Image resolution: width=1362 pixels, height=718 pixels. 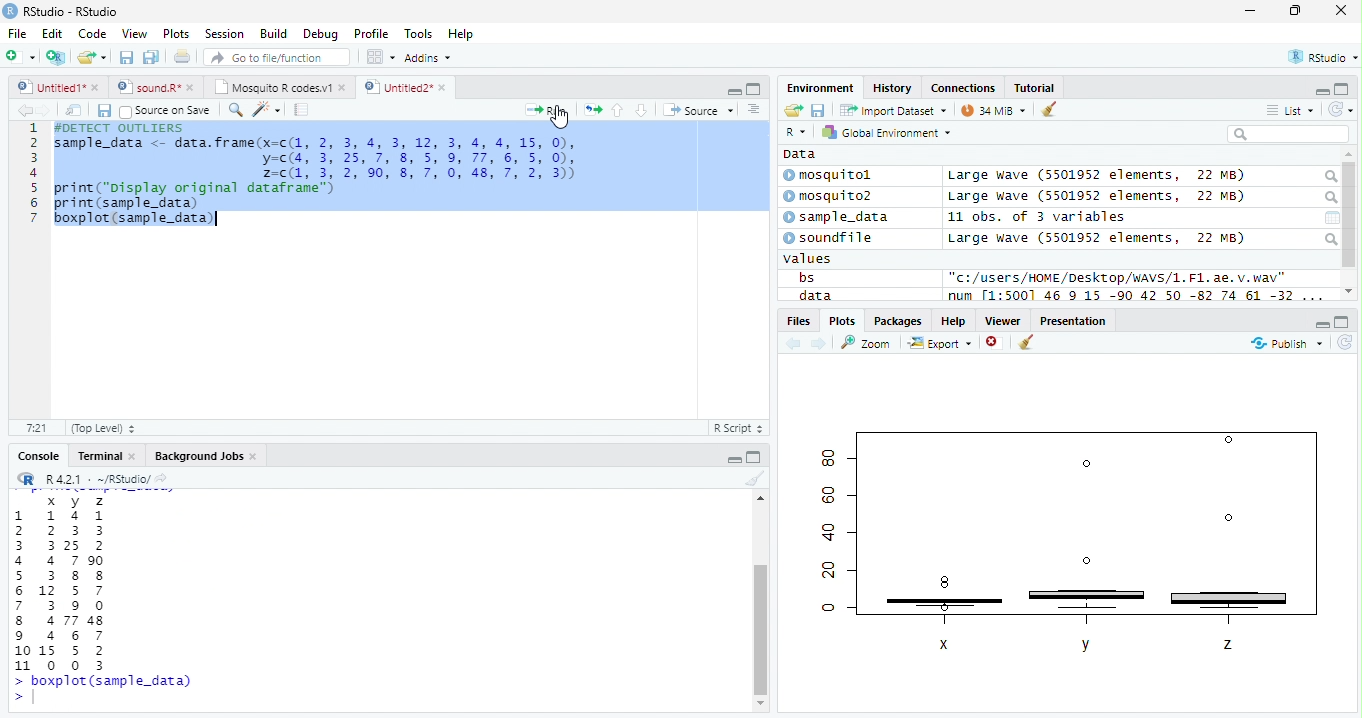 I want to click on Global Environment, so click(x=884, y=131).